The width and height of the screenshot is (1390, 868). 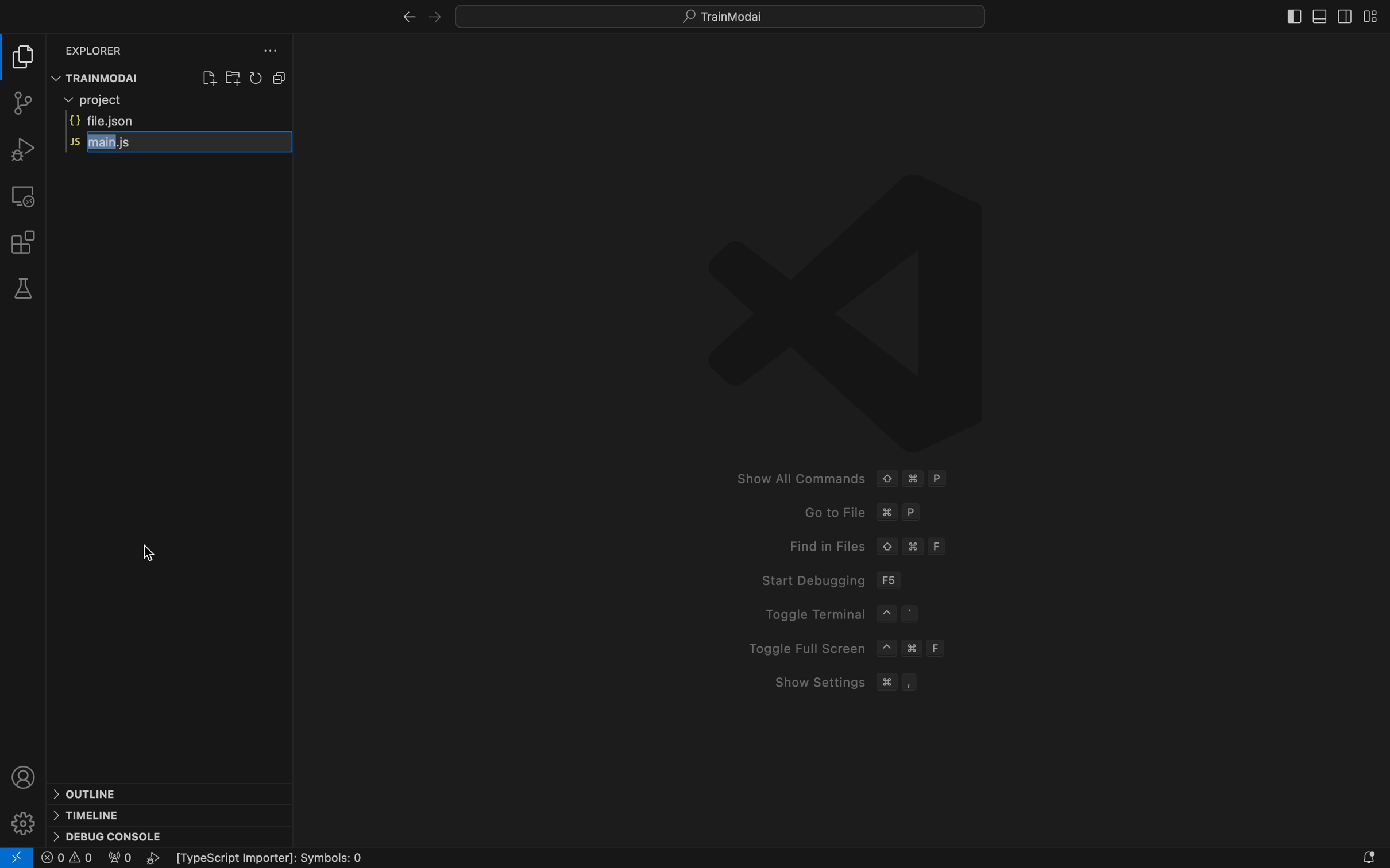 I want to click on Show Setting, so click(x=848, y=682).